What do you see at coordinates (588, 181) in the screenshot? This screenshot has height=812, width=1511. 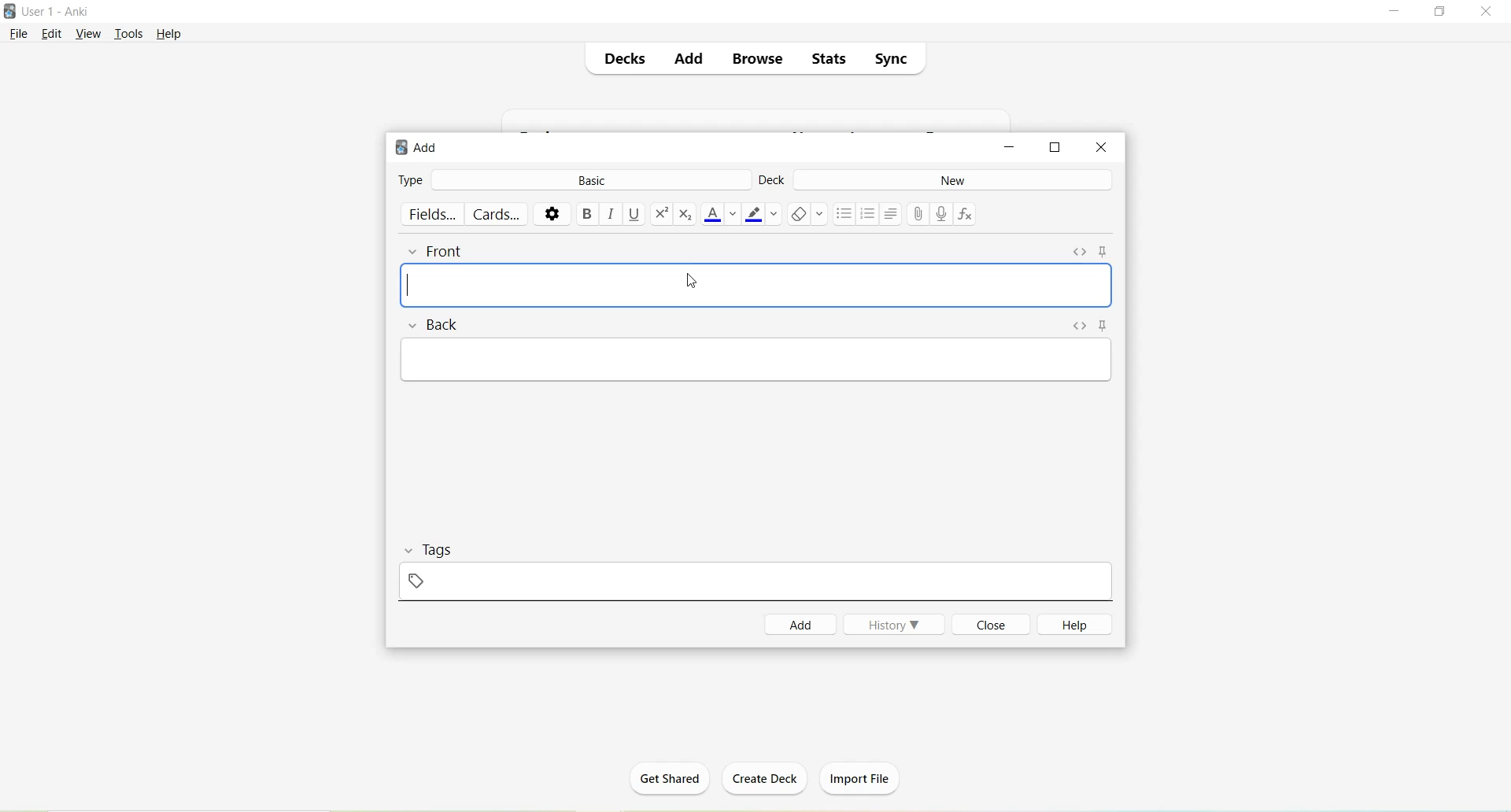 I see `Basic` at bounding box center [588, 181].